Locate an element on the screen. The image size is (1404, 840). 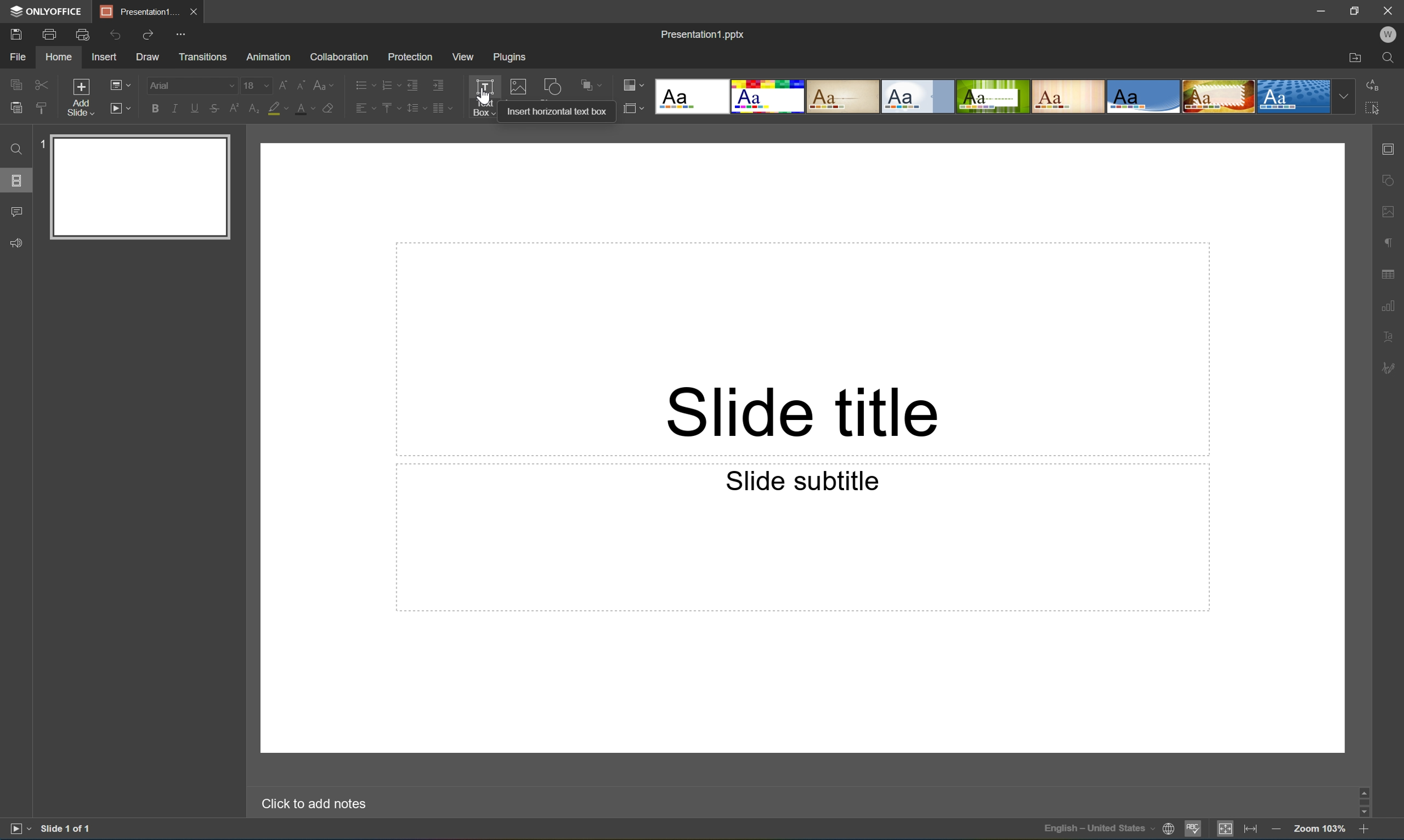
Home is located at coordinates (58, 58).